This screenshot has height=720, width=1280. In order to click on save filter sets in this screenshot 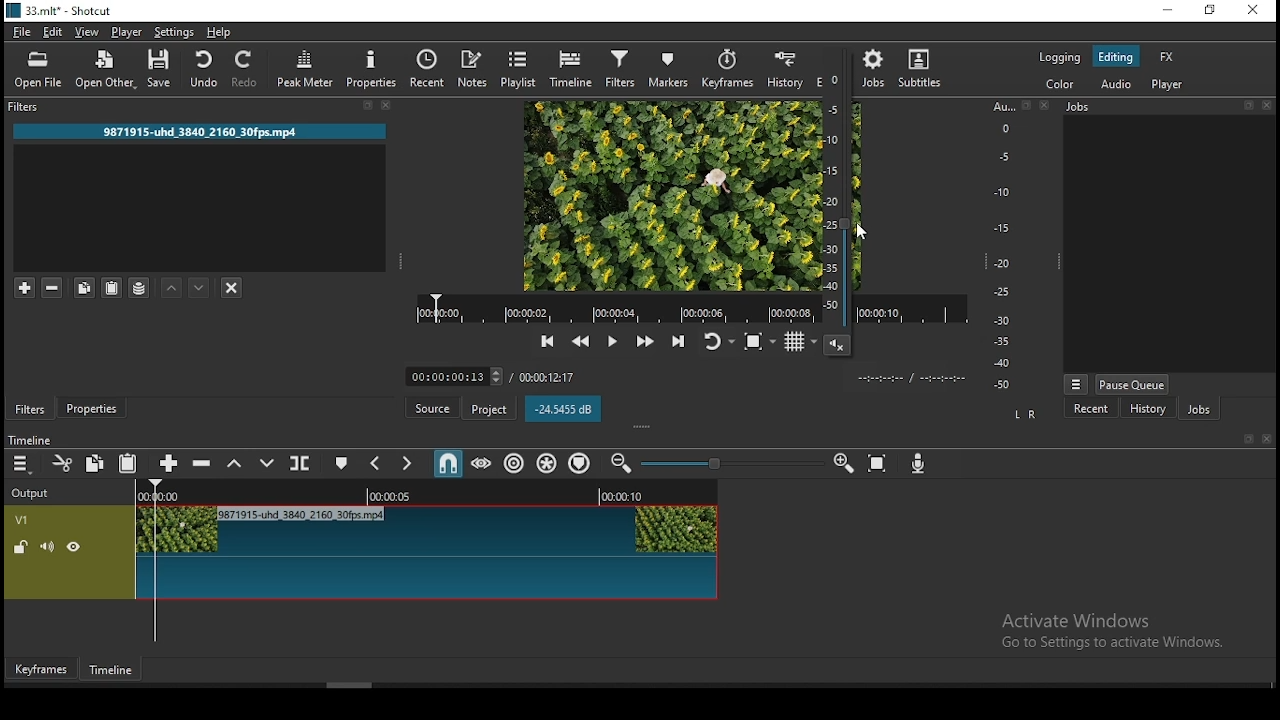, I will do `click(141, 290)`.